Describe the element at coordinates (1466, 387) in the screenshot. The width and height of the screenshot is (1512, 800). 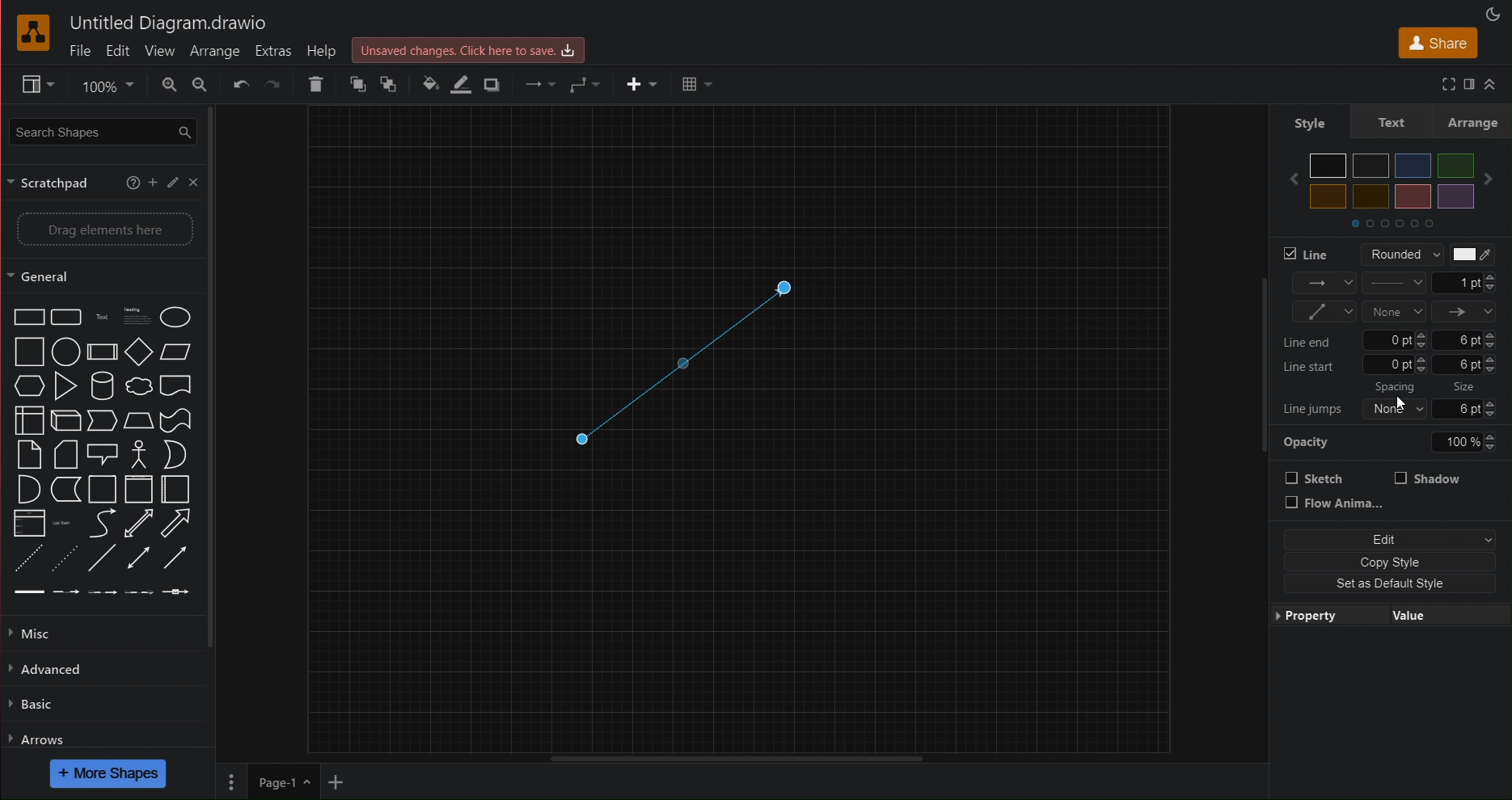
I see `` at that location.